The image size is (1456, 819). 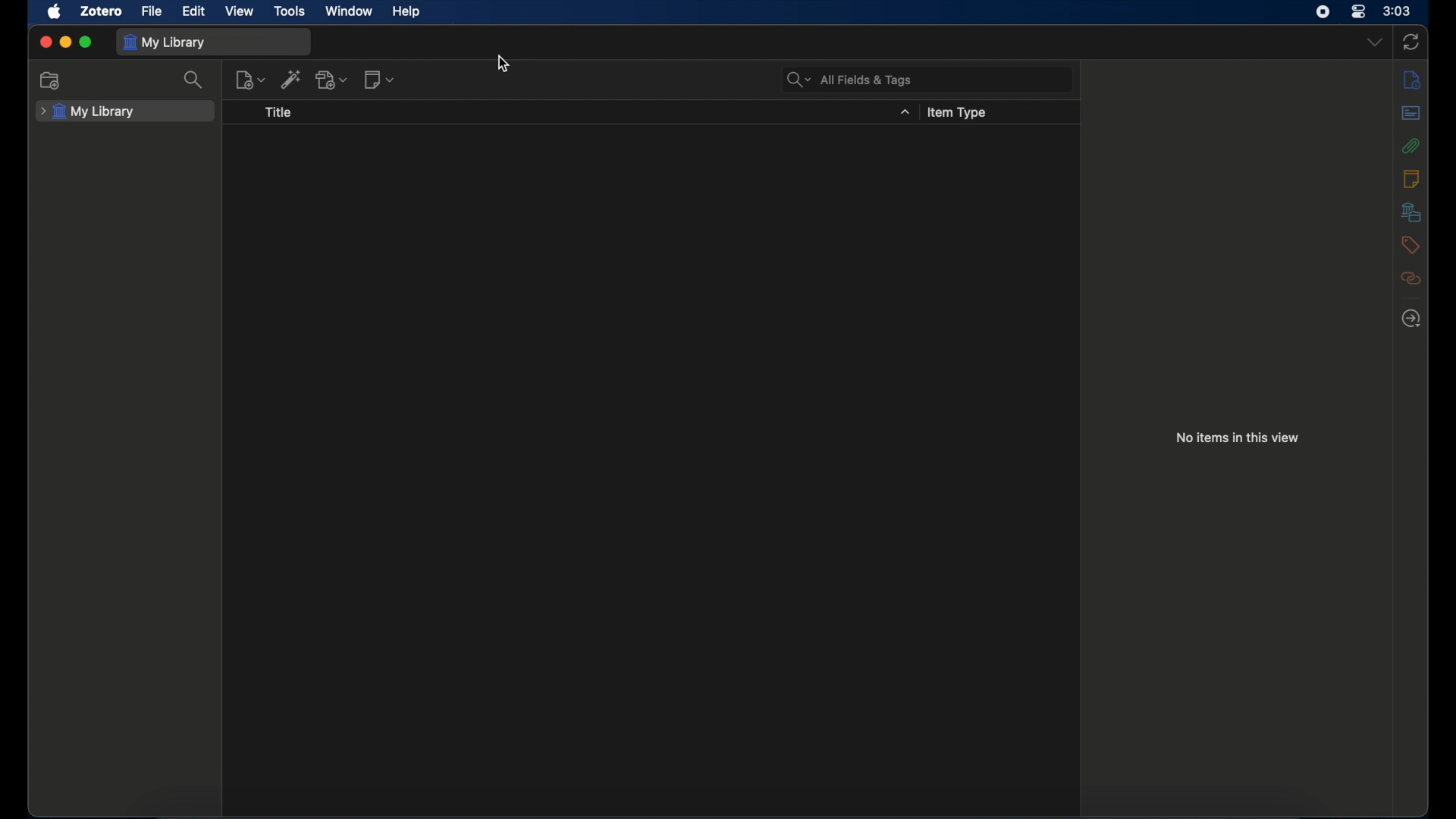 What do you see at coordinates (1414, 212) in the screenshot?
I see `libraries` at bounding box center [1414, 212].